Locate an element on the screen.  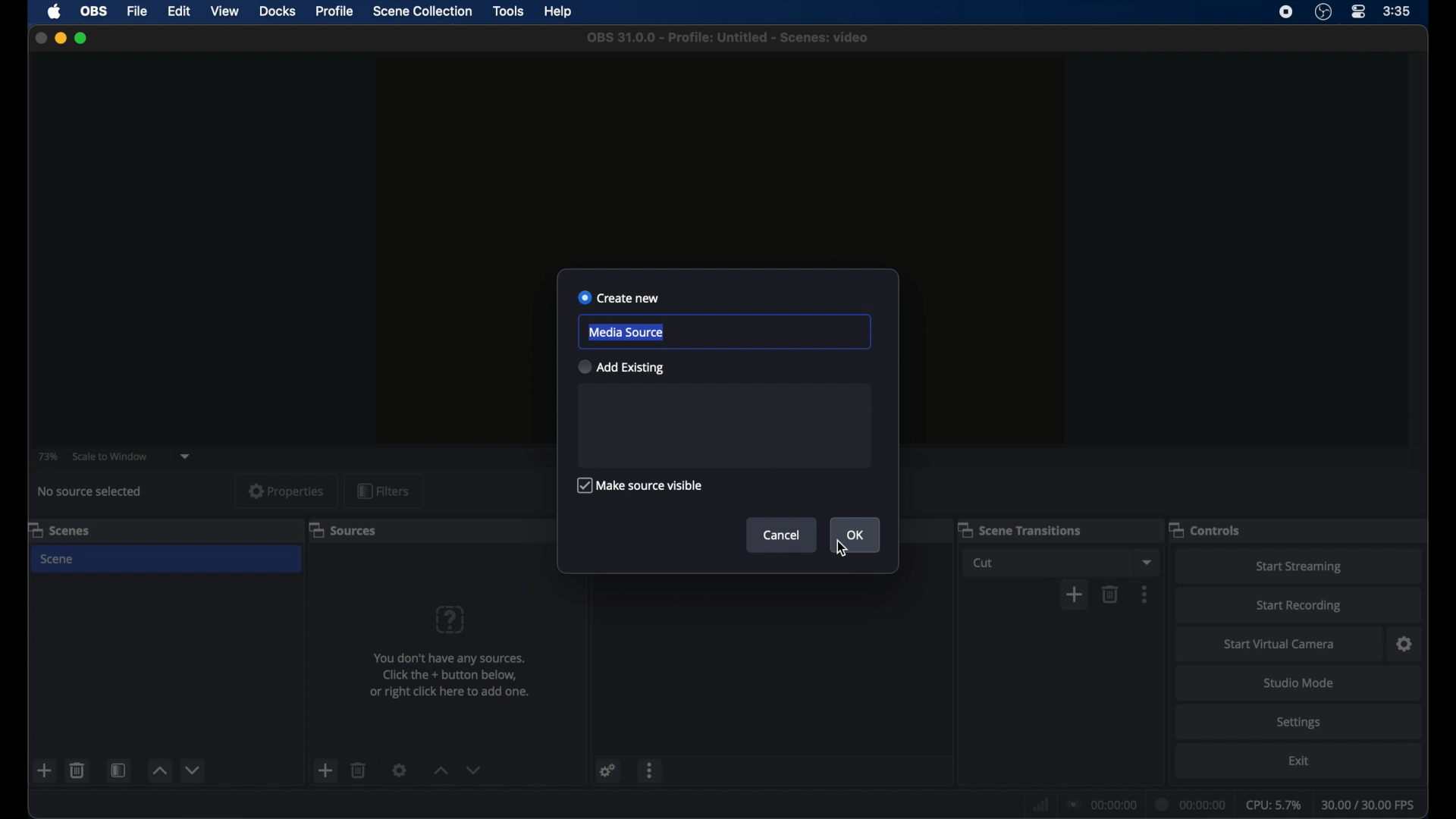
controls is located at coordinates (1205, 529).